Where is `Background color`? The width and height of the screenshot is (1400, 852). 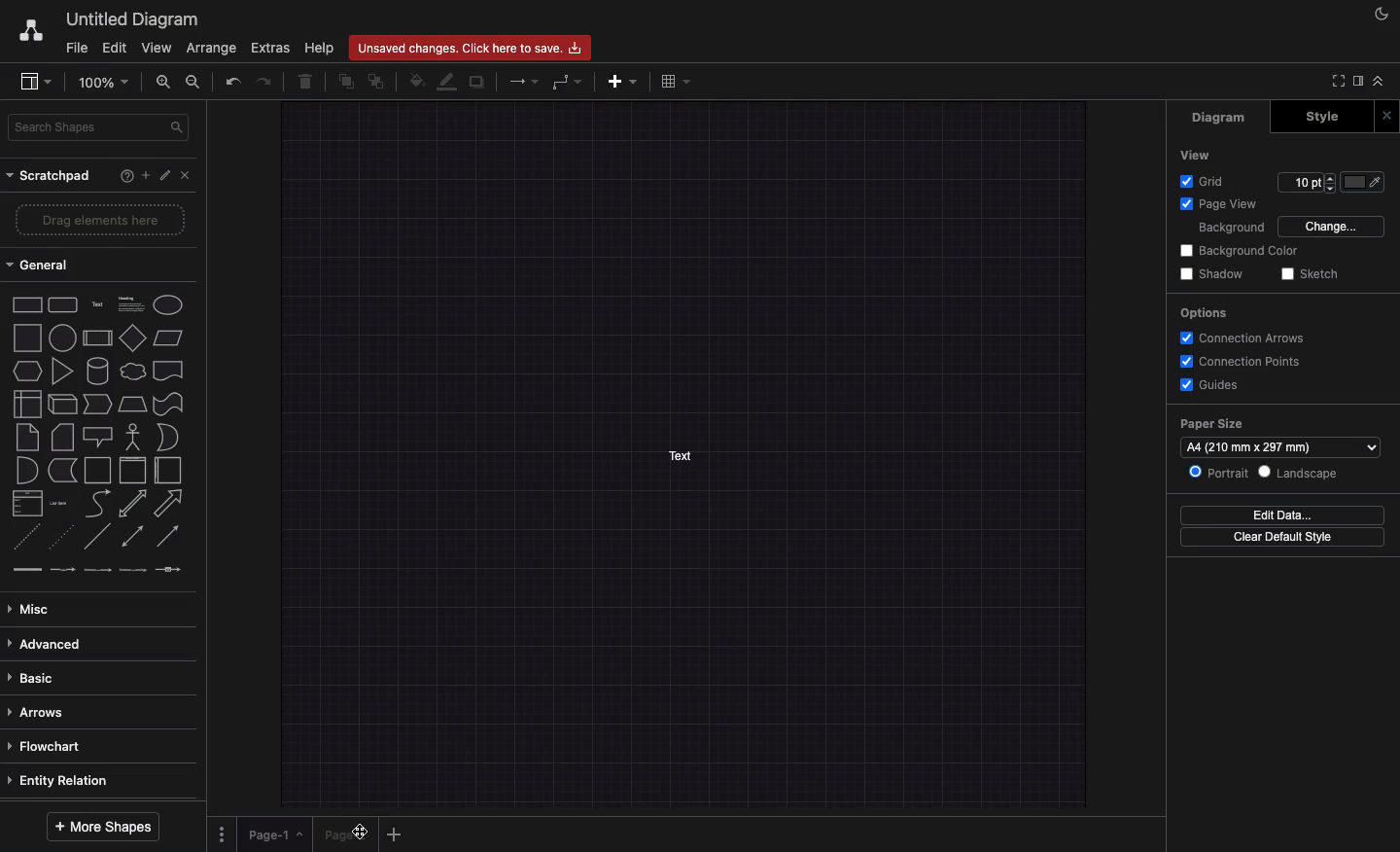
Background color is located at coordinates (1238, 251).